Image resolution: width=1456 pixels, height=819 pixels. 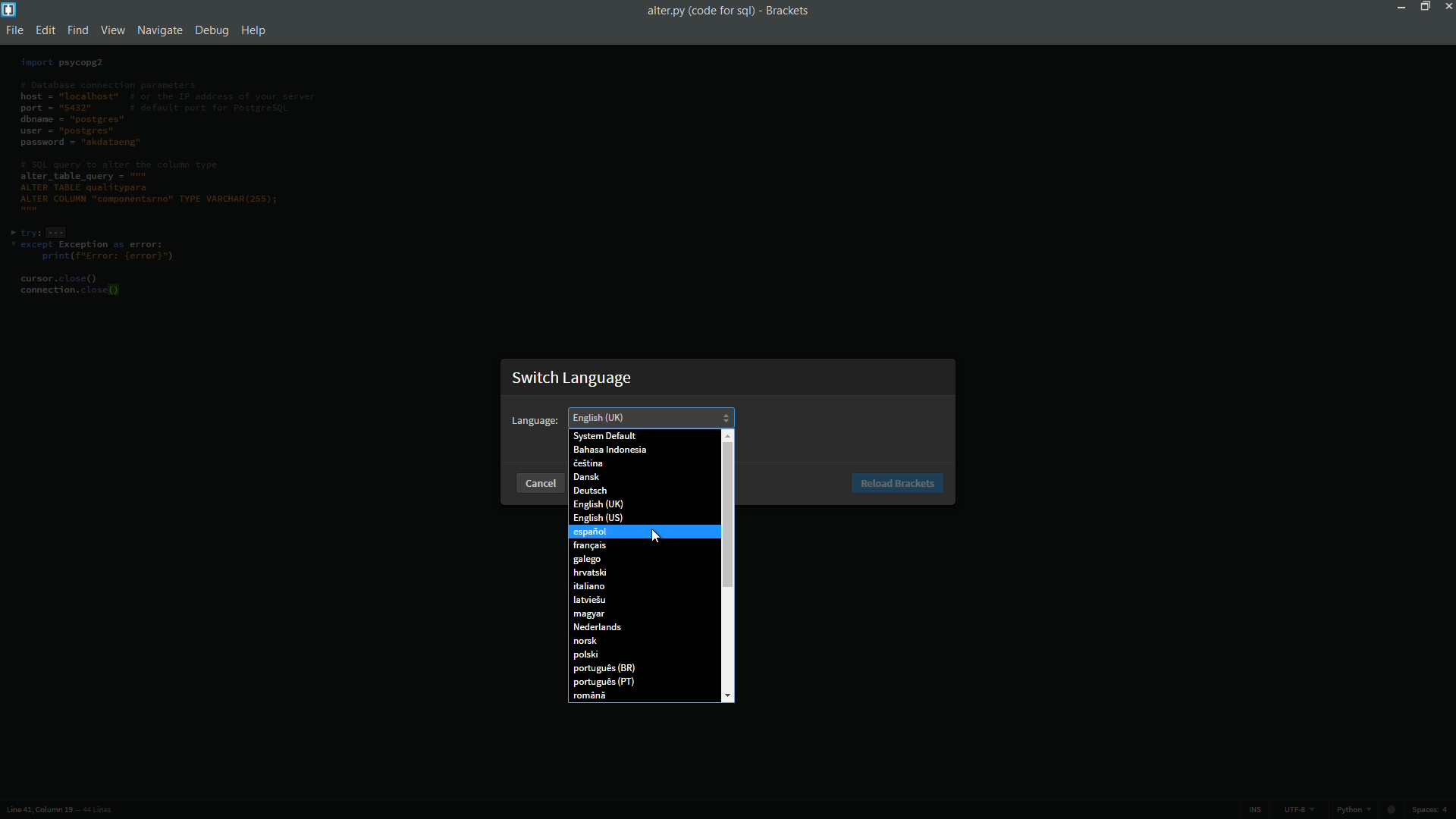 What do you see at coordinates (644, 533) in the screenshot?
I see `Espanol` at bounding box center [644, 533].